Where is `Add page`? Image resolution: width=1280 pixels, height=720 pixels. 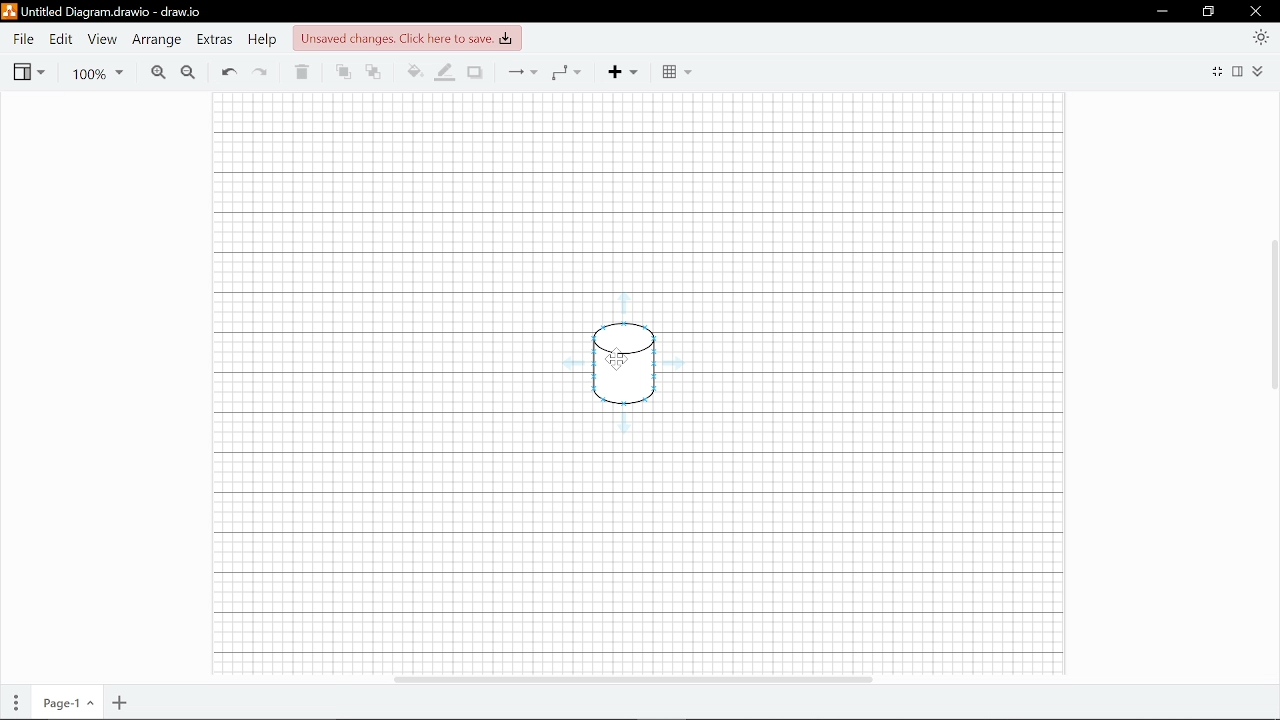
Add page is located at coordinates (119, 701).